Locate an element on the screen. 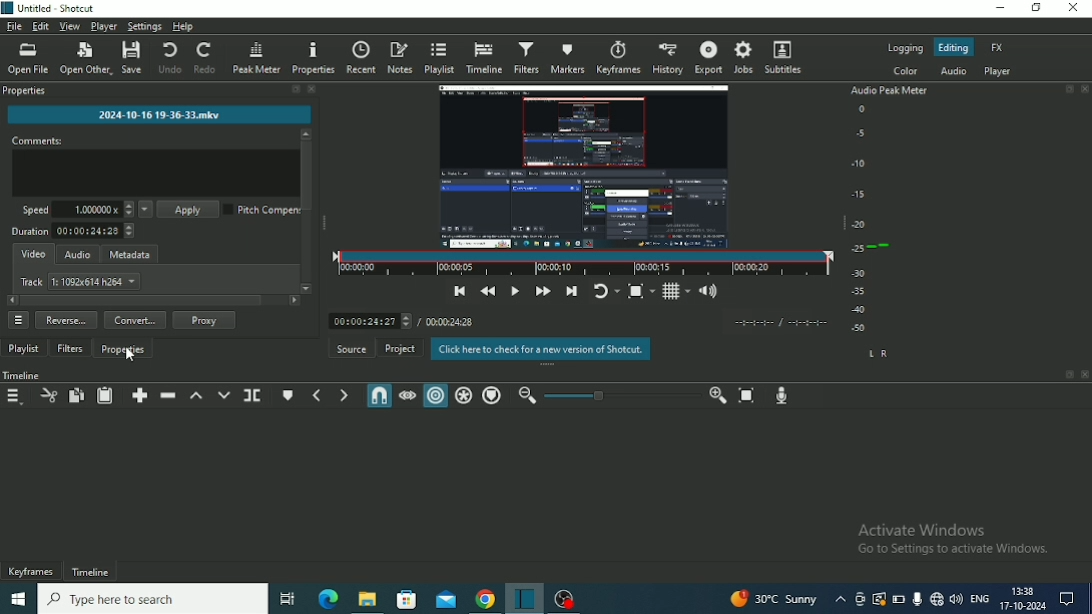 The width and height of the screenshot is (1092, 614). Windows is located at coordinates (18, 598).